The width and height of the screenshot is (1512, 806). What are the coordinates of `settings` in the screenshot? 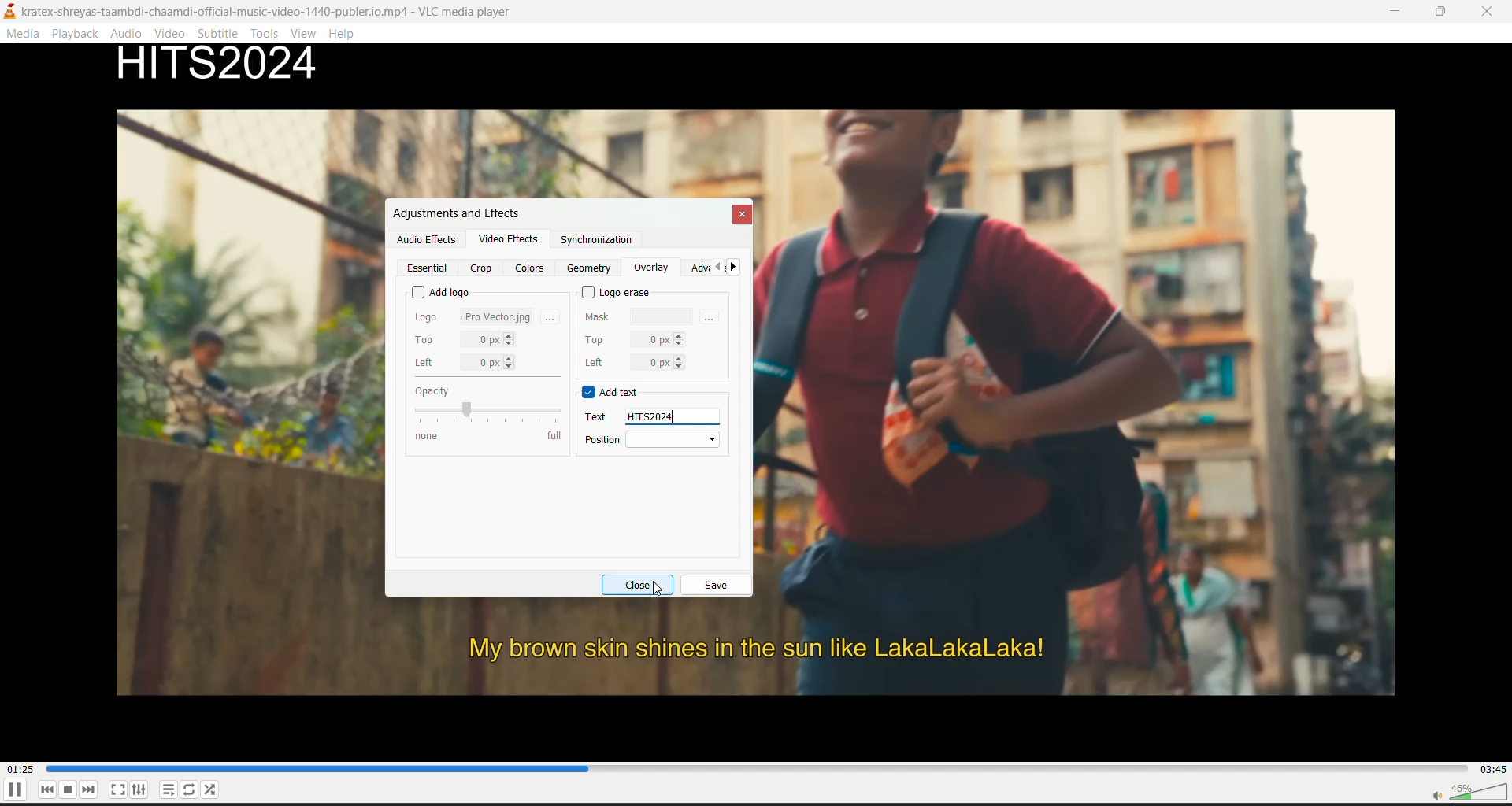 It's located at (142, 790).